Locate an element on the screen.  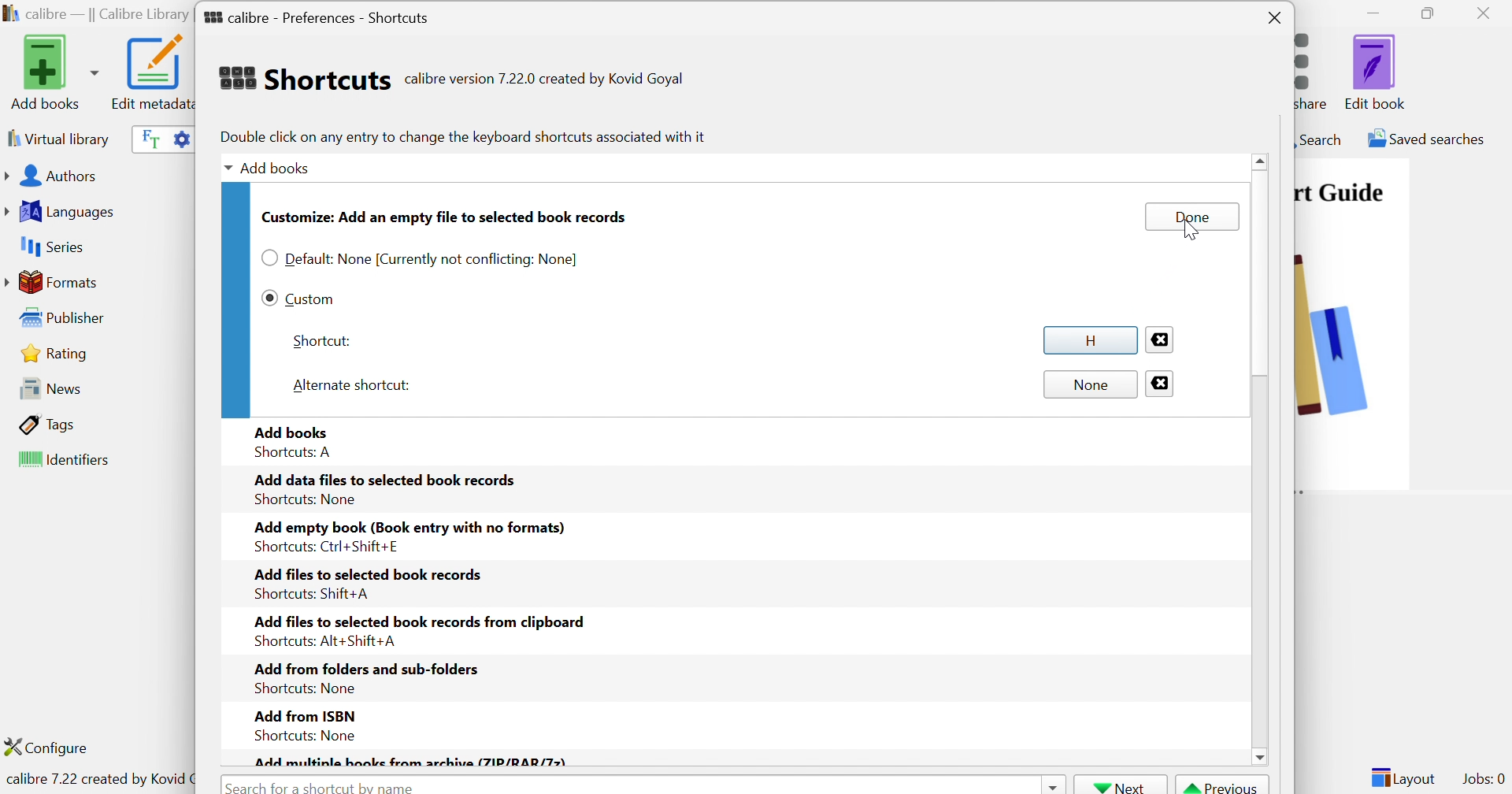
Double click on any entry to change the keyboard shortcuts associated with it is located at coordinates (461, 136).